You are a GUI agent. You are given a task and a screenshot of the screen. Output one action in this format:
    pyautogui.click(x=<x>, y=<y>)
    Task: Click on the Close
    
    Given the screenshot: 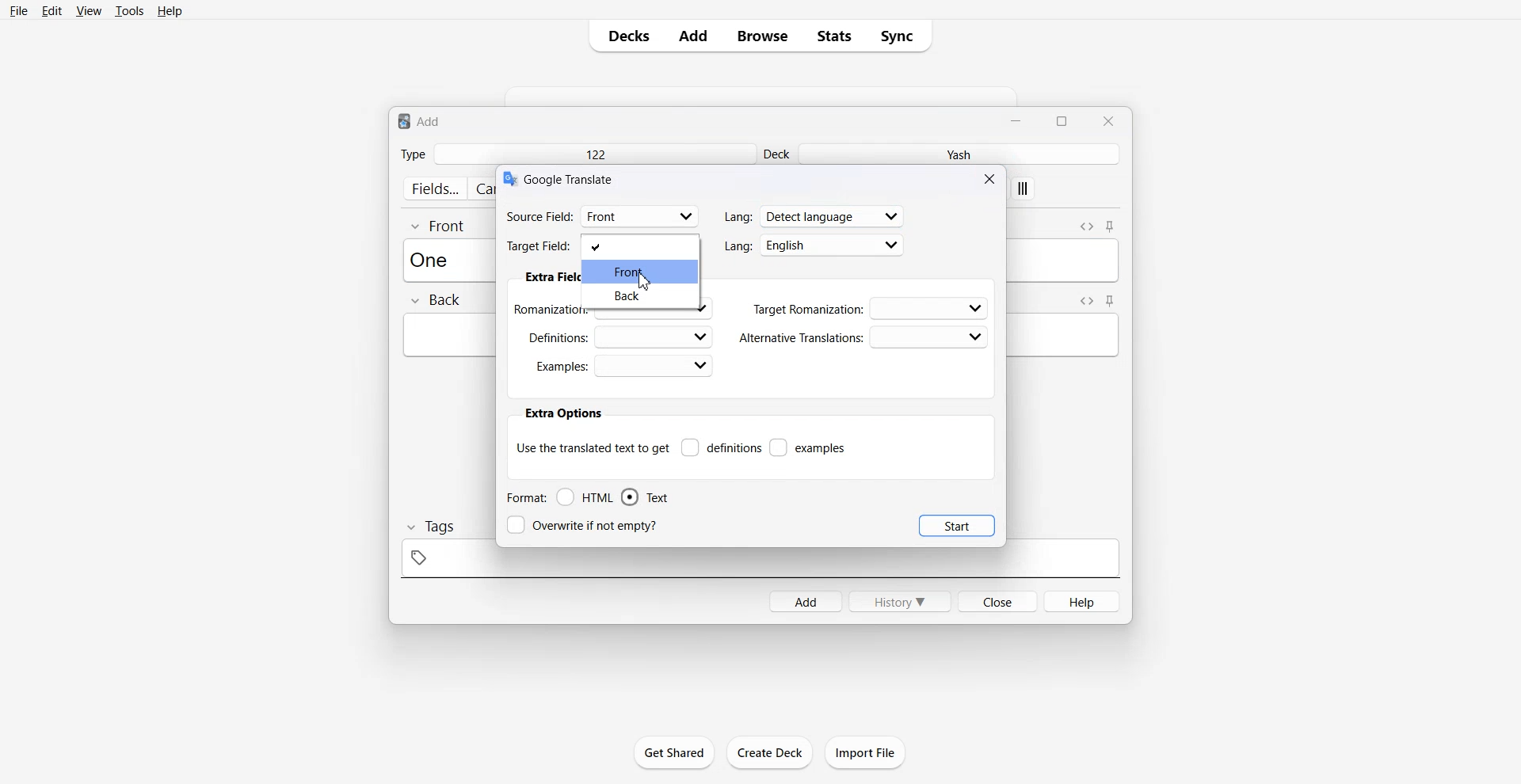 What is the action you would take?
    pyautogui.click(x=992, y=178)
    